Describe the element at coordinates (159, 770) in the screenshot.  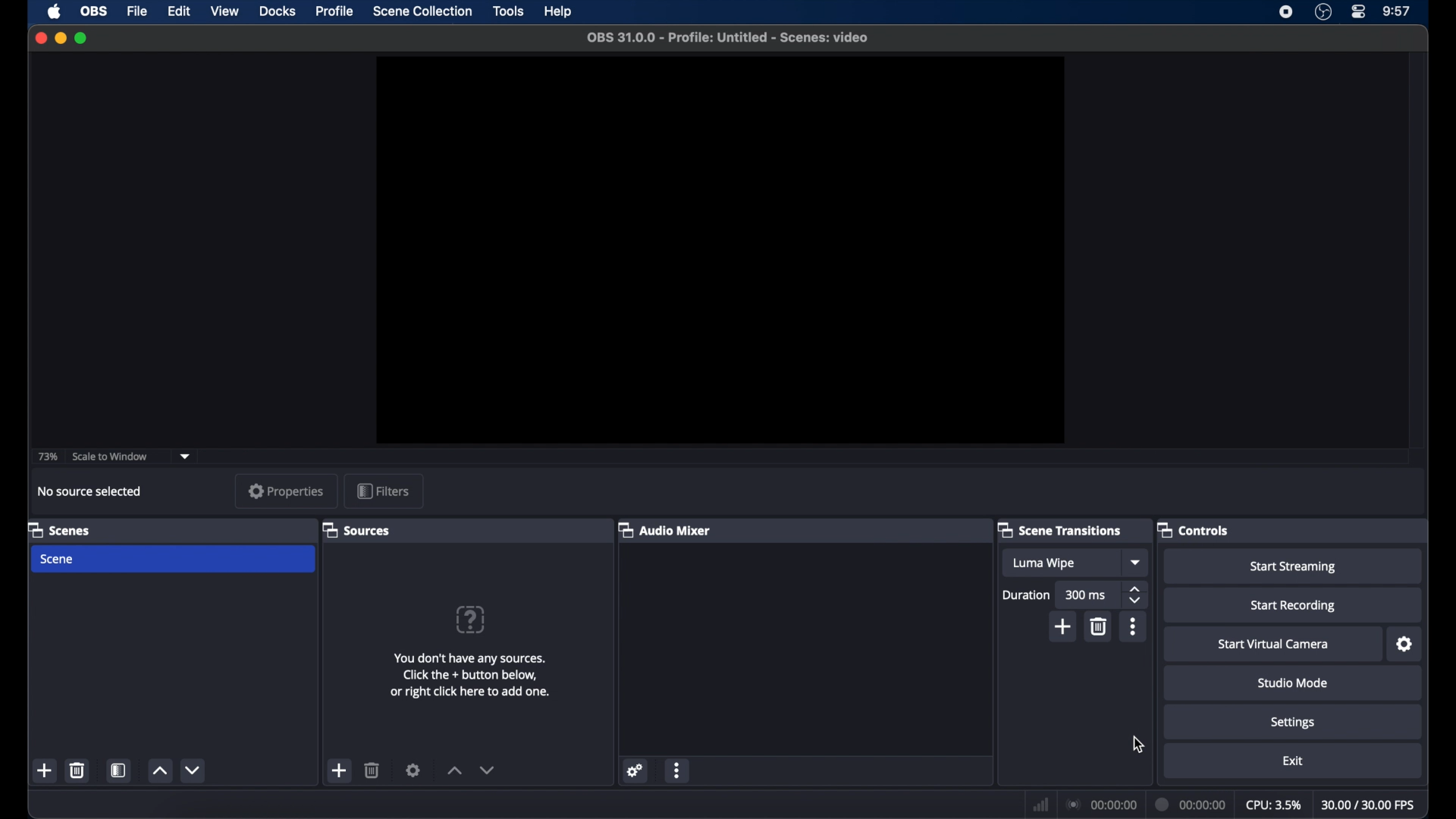
I see `increment` at that location.